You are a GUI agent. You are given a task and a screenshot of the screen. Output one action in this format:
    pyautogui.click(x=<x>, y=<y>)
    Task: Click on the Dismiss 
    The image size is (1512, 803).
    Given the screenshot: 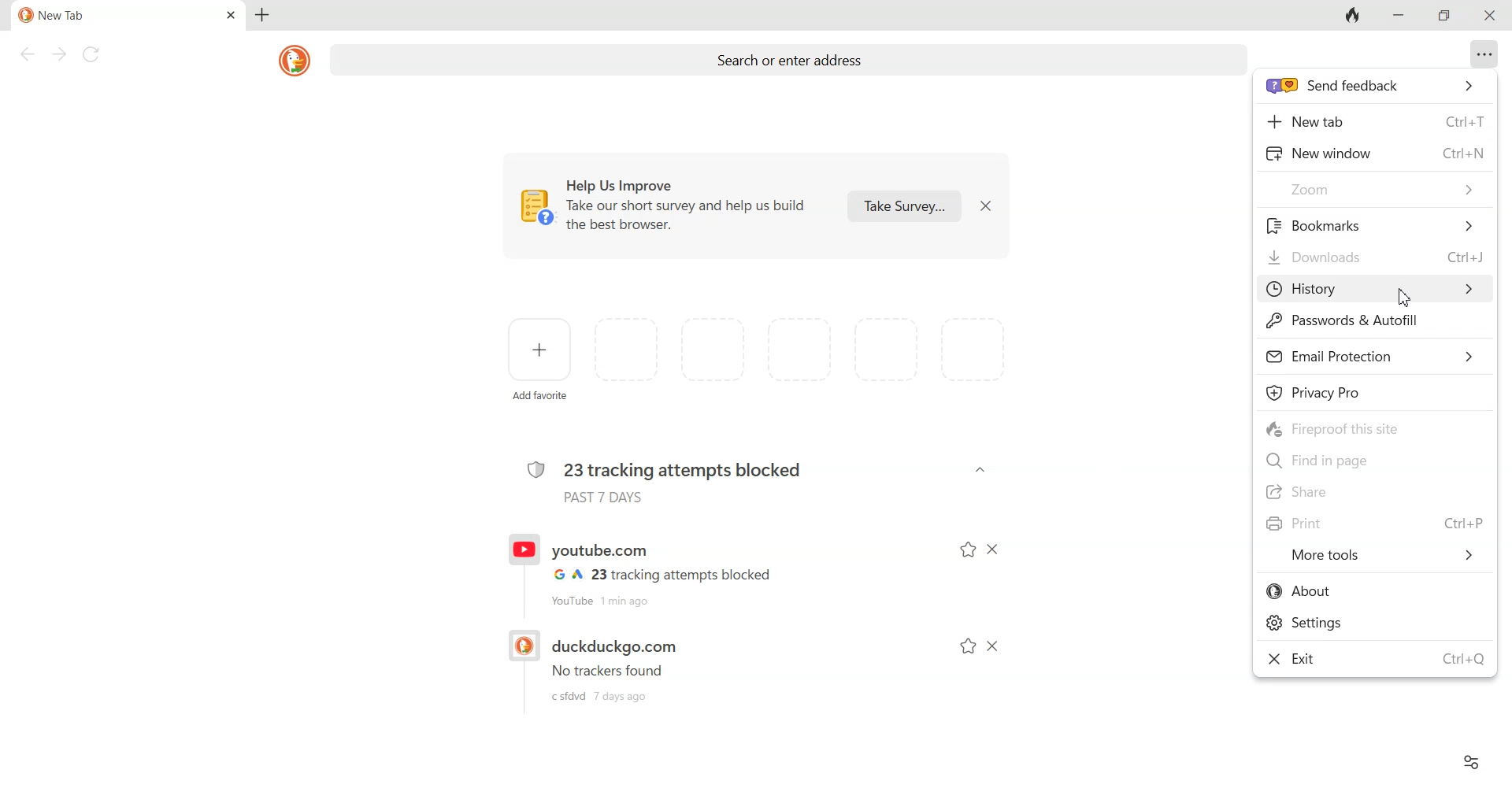 What is the action you would take?
    pyautogui.click(x=992, y=646)
    